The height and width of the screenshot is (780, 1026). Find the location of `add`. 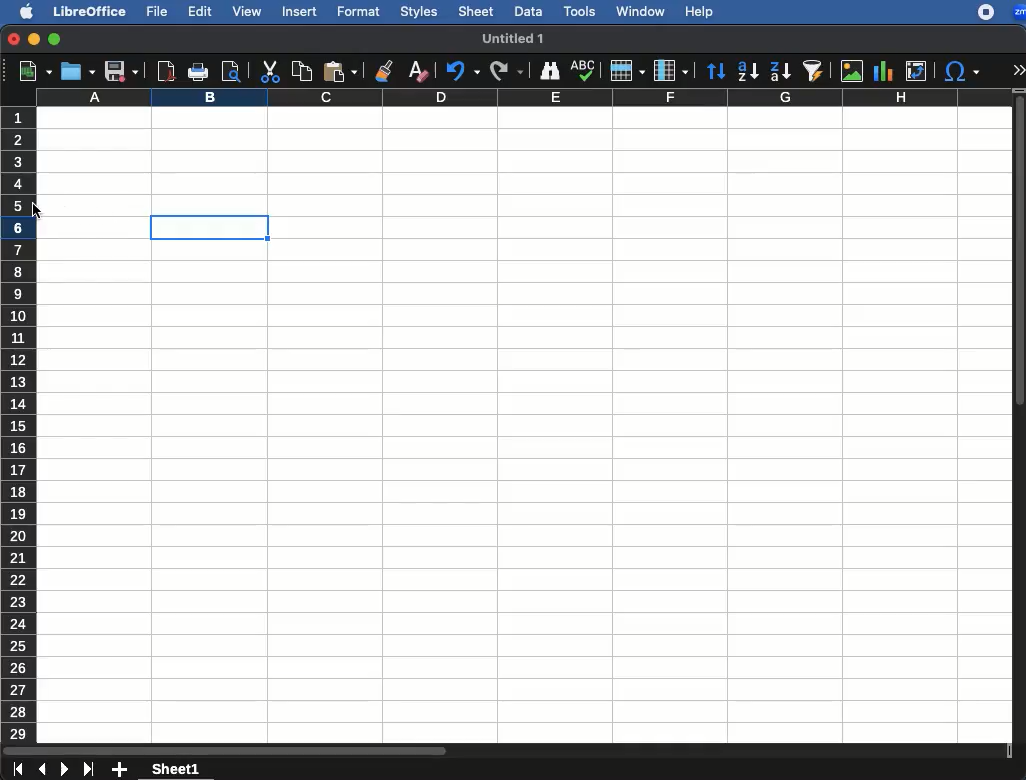

add is located at coordinates (120, 771).